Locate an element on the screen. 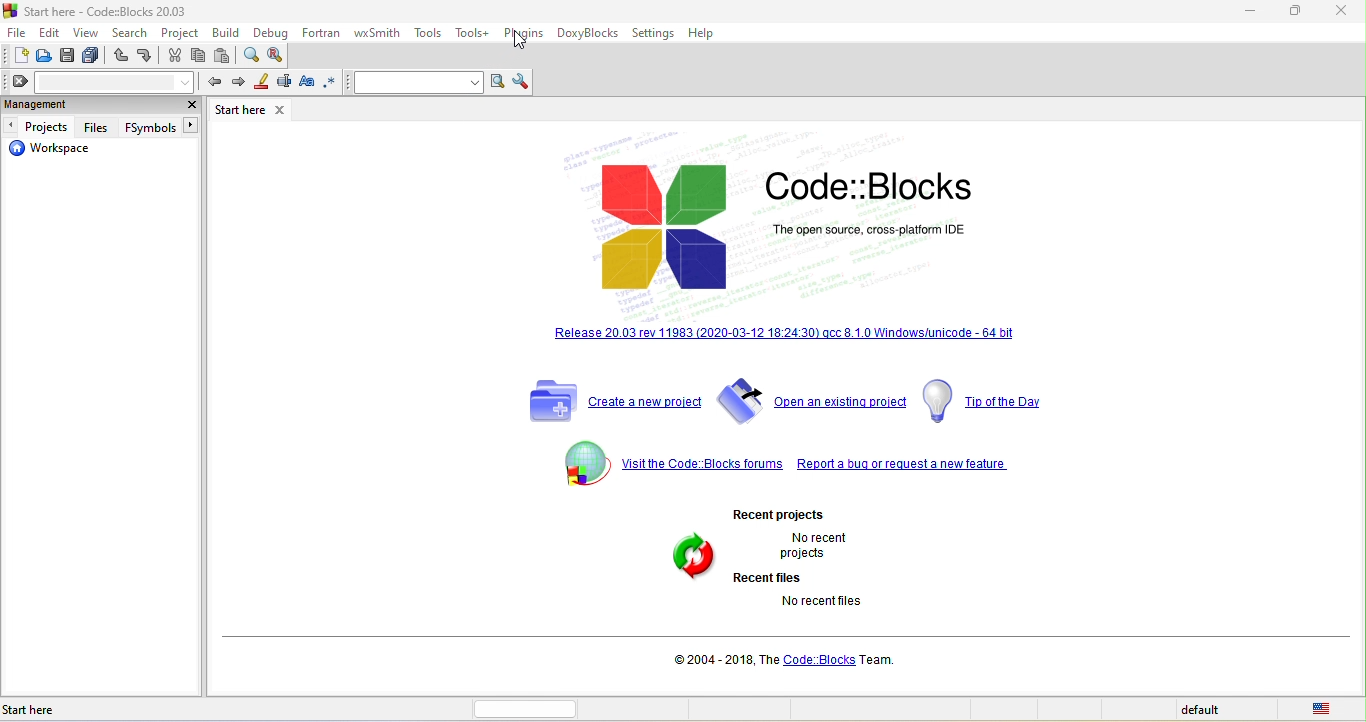 The width and height of the screenshot is (1366, 722). horizontal scroll bar is located at coordinates (526, 709).